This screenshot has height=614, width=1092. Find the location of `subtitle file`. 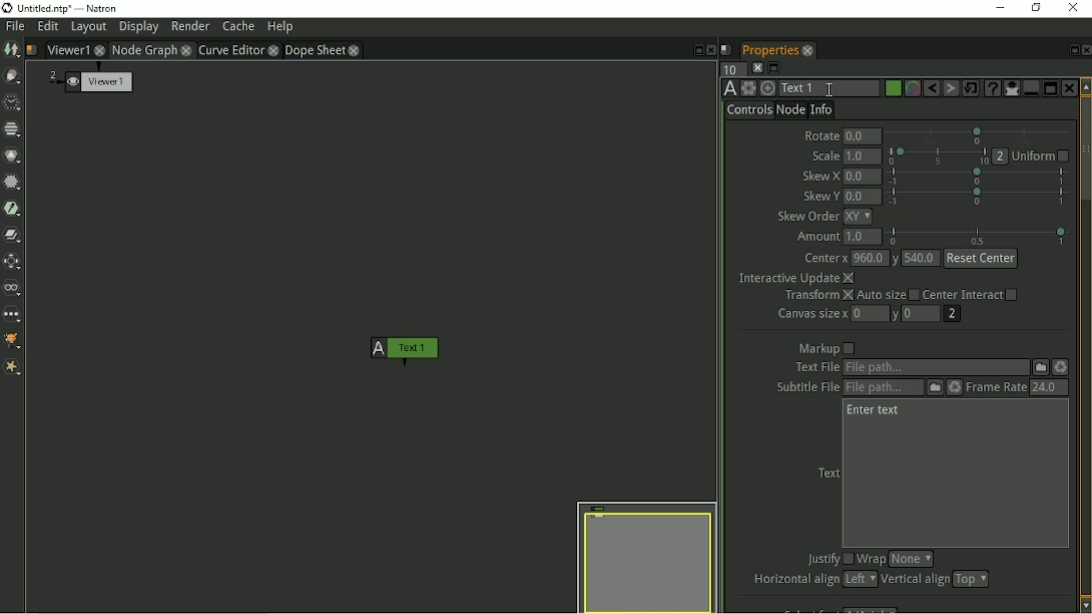

subtitle file is located at coordinates (808, 388).